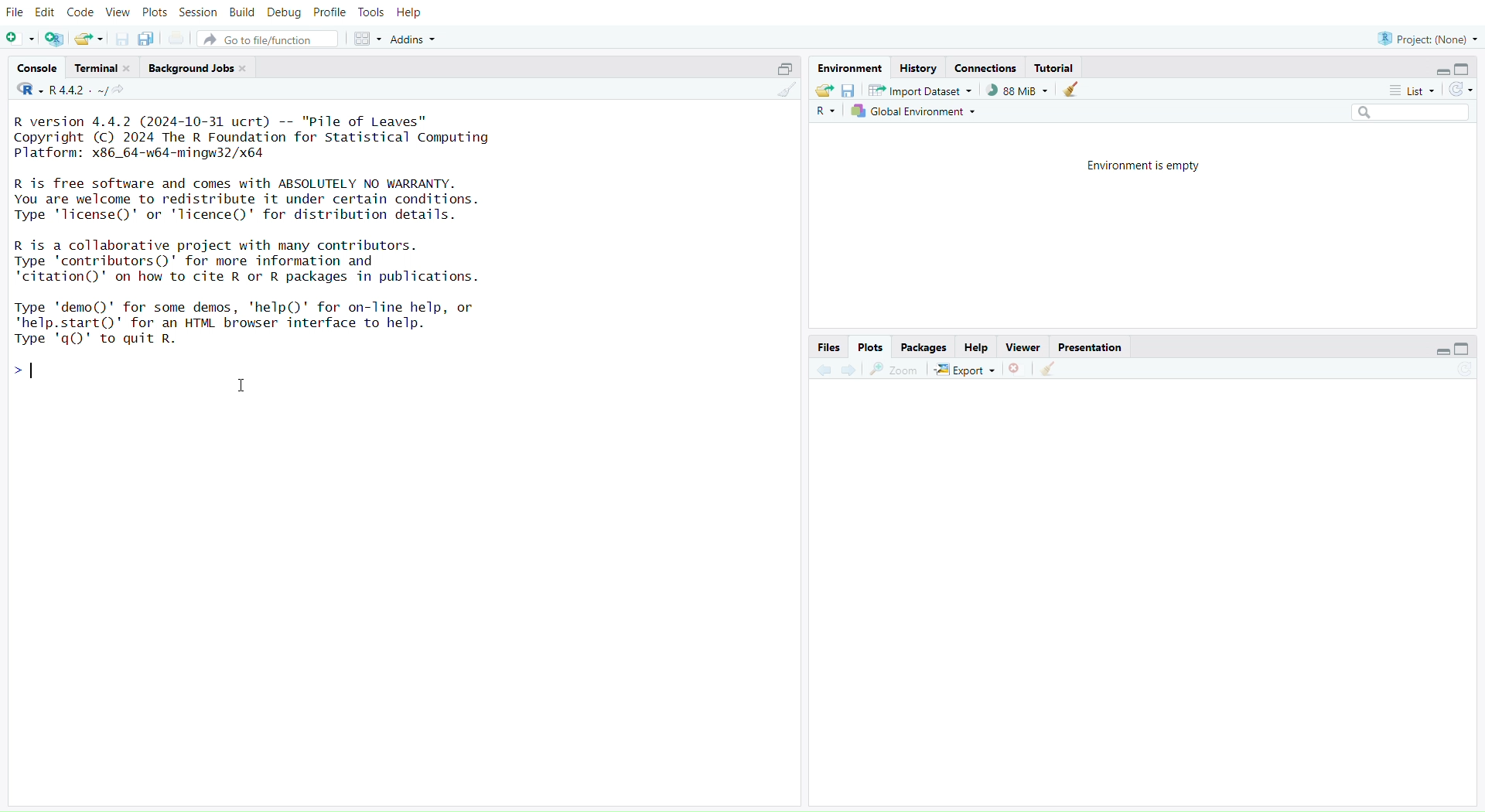 This screenshot has width=1485, height=812. Describe the element at coordinates (963, 371) in the screenshot. I see `export` at that location.